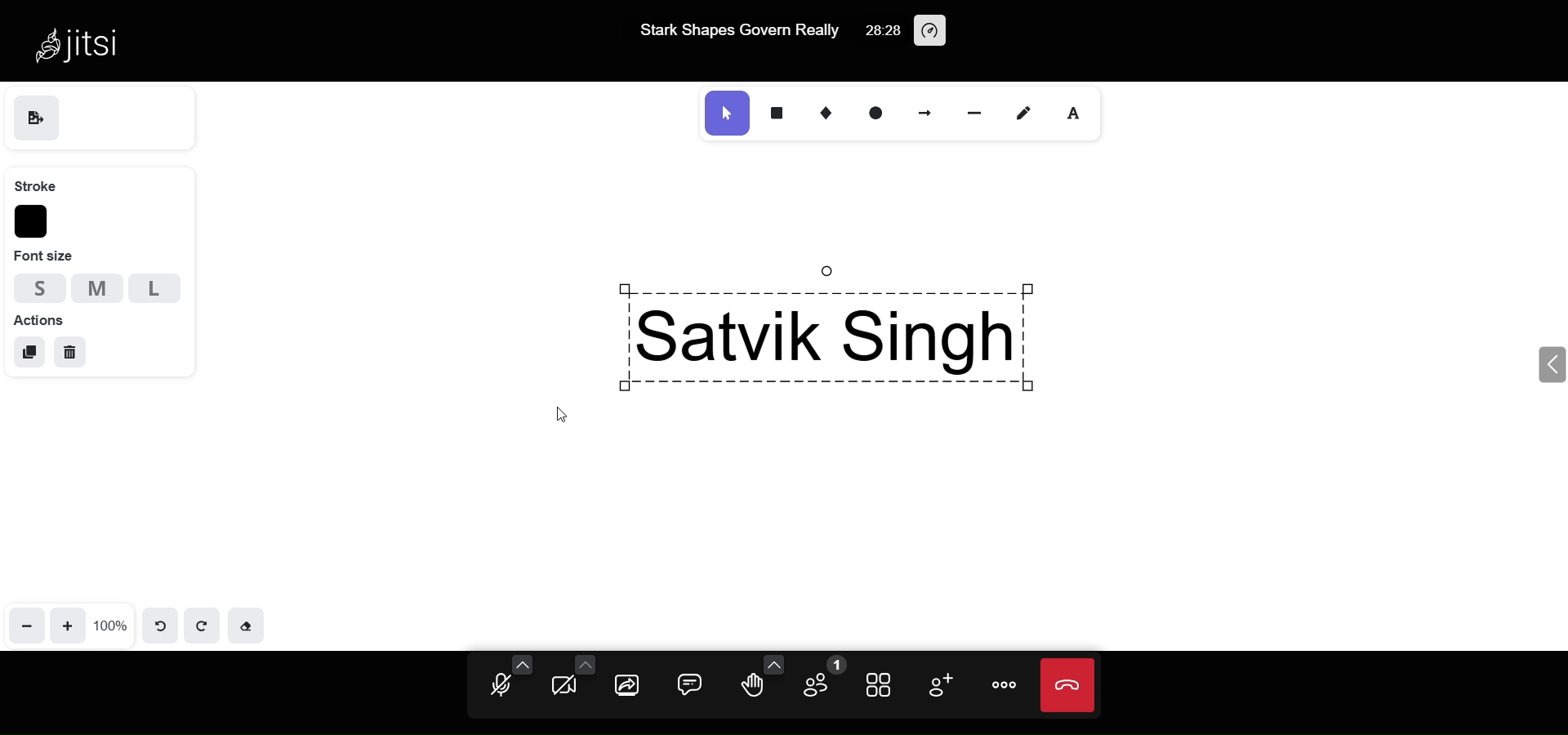 This screenshot has height=735, width=1568. I want to click on rectangle, so click(774, 112).